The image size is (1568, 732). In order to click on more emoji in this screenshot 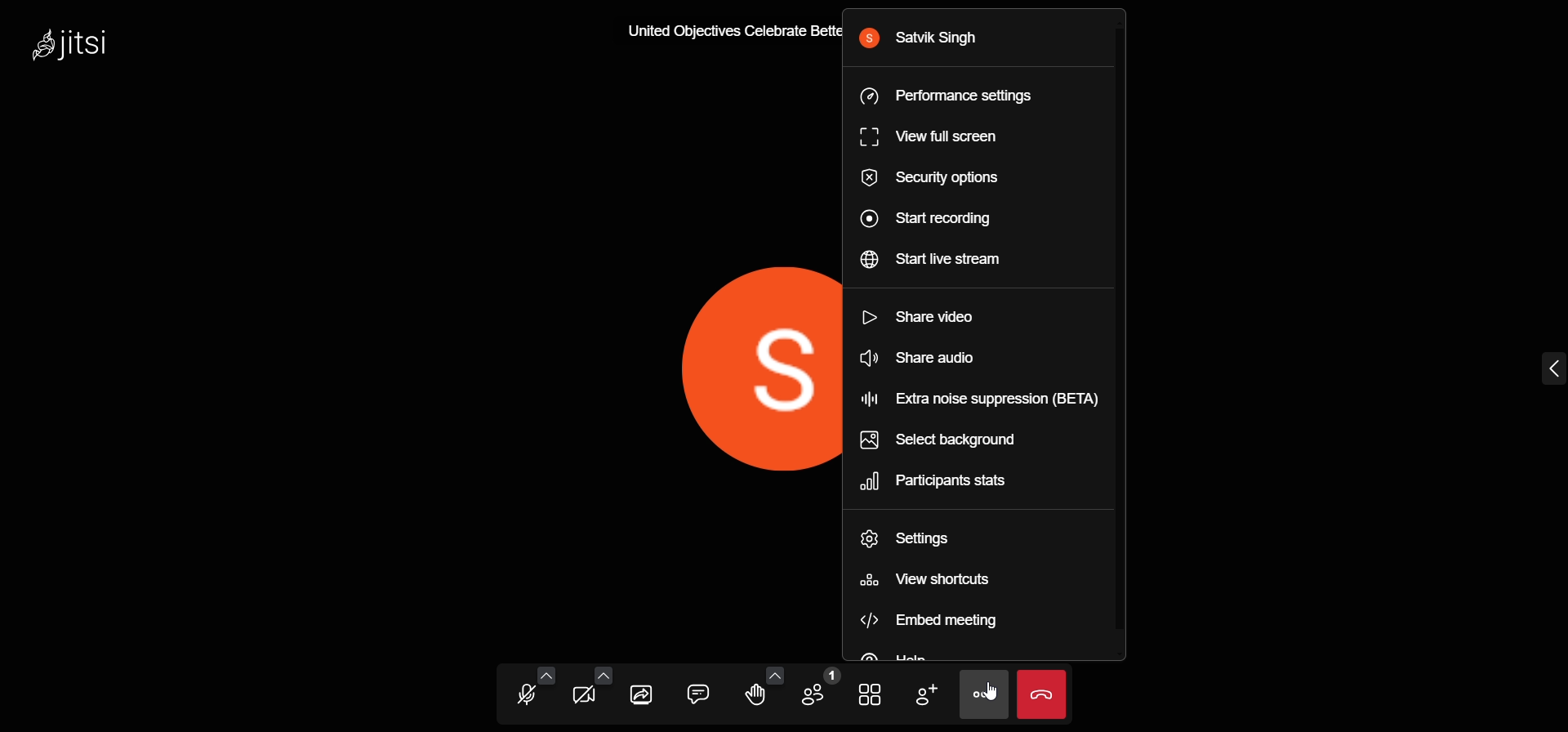, I will do `click(774, 674)`.